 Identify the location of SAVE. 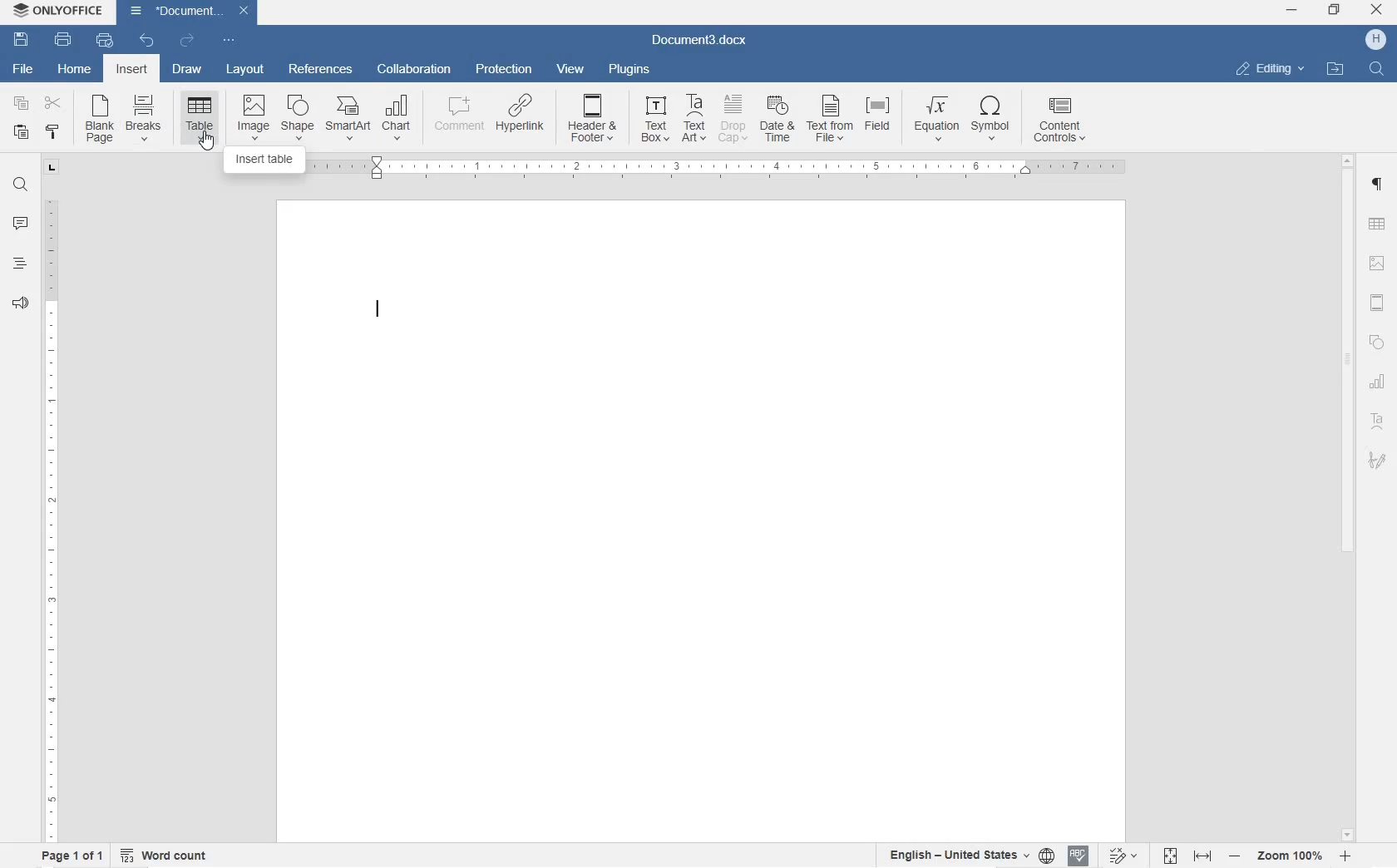
(23, 37).